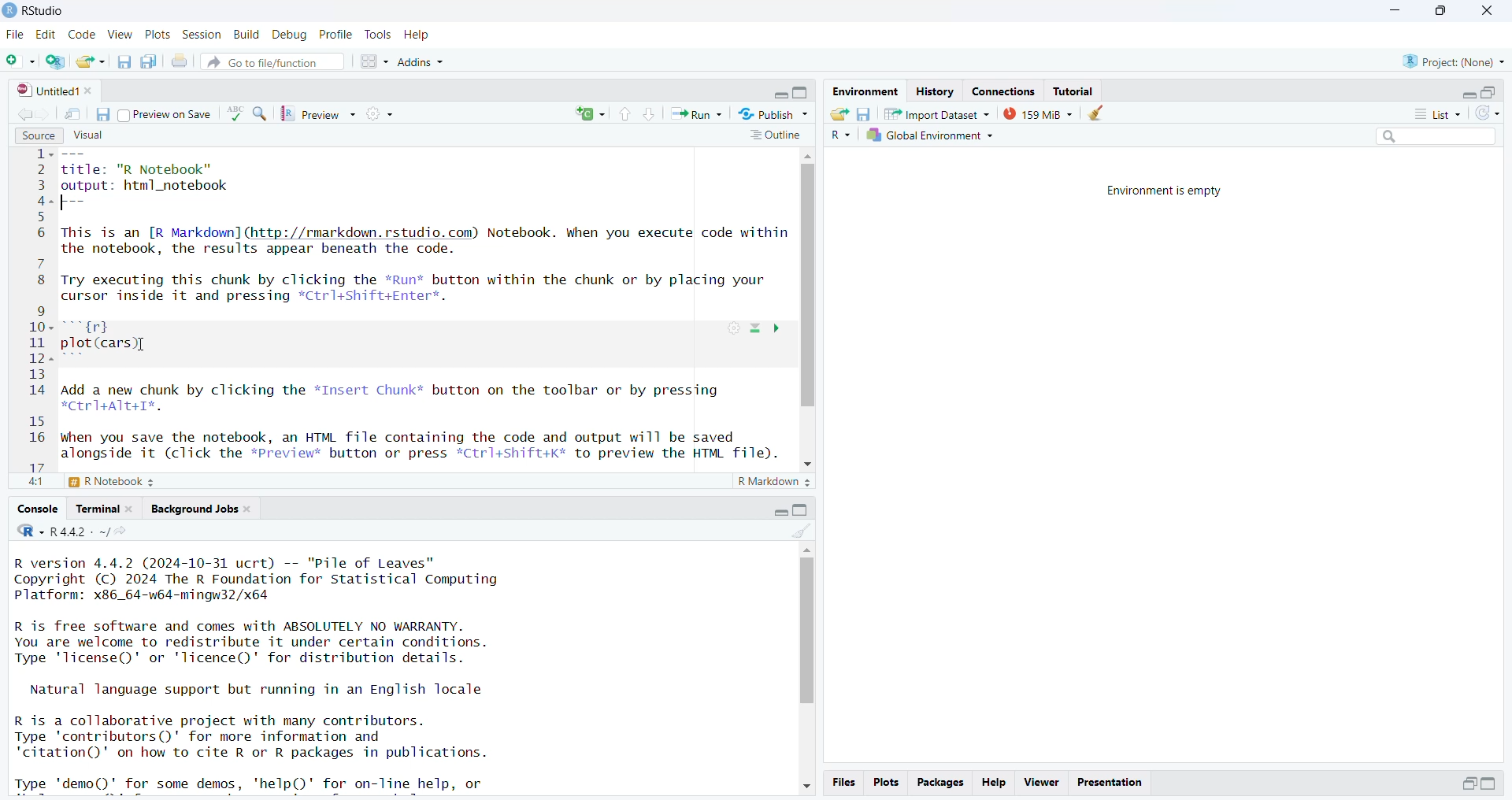 The image size is (1512, 800). I want to click on background jobs, so click(202, 509).